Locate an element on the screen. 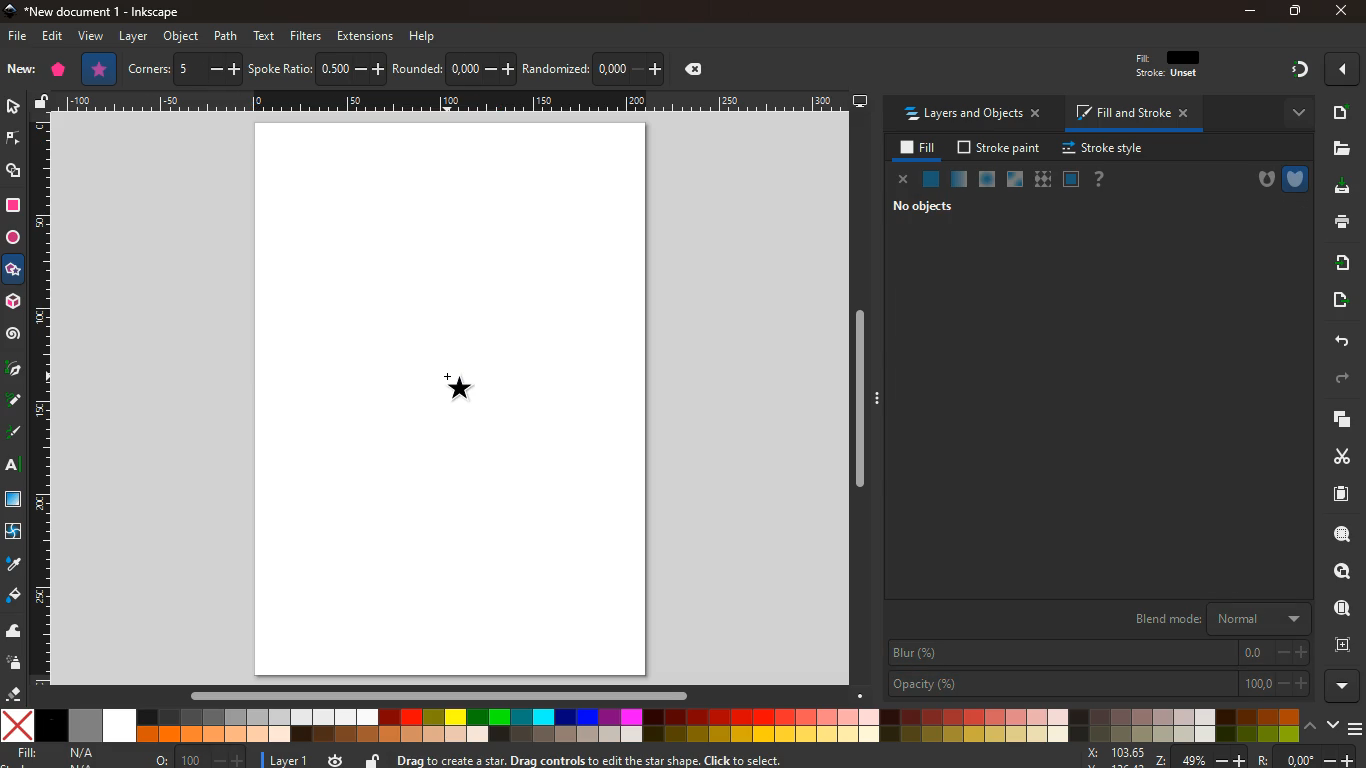 The width and height of the screenshot is (1366, 768). help is located at coordinates (1105, 179).